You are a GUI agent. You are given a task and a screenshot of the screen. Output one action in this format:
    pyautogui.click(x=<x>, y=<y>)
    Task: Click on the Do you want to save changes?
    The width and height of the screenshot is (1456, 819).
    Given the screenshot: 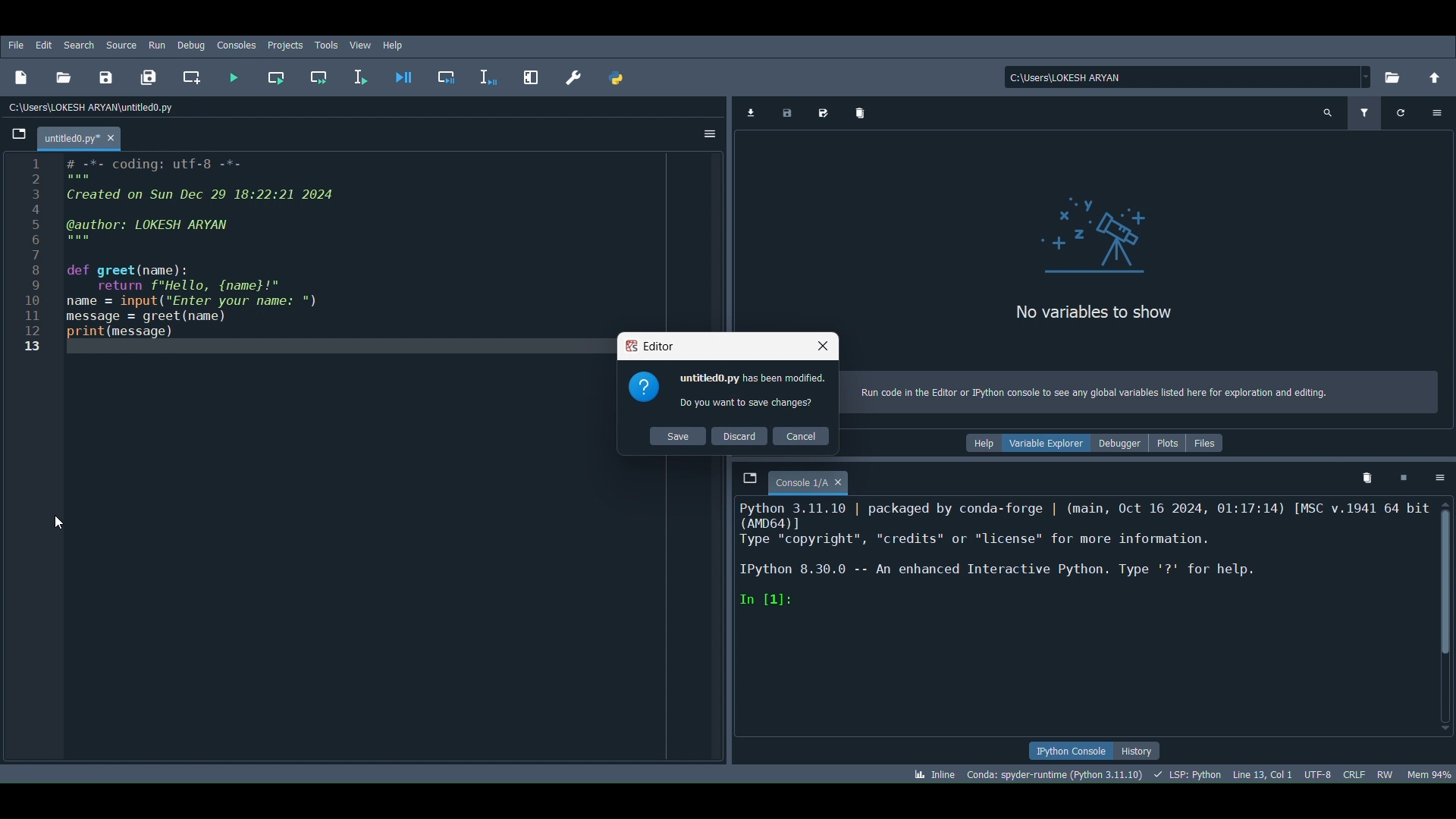 What is the action you would take?
    pyautogui.click(x=748, y=402)
    